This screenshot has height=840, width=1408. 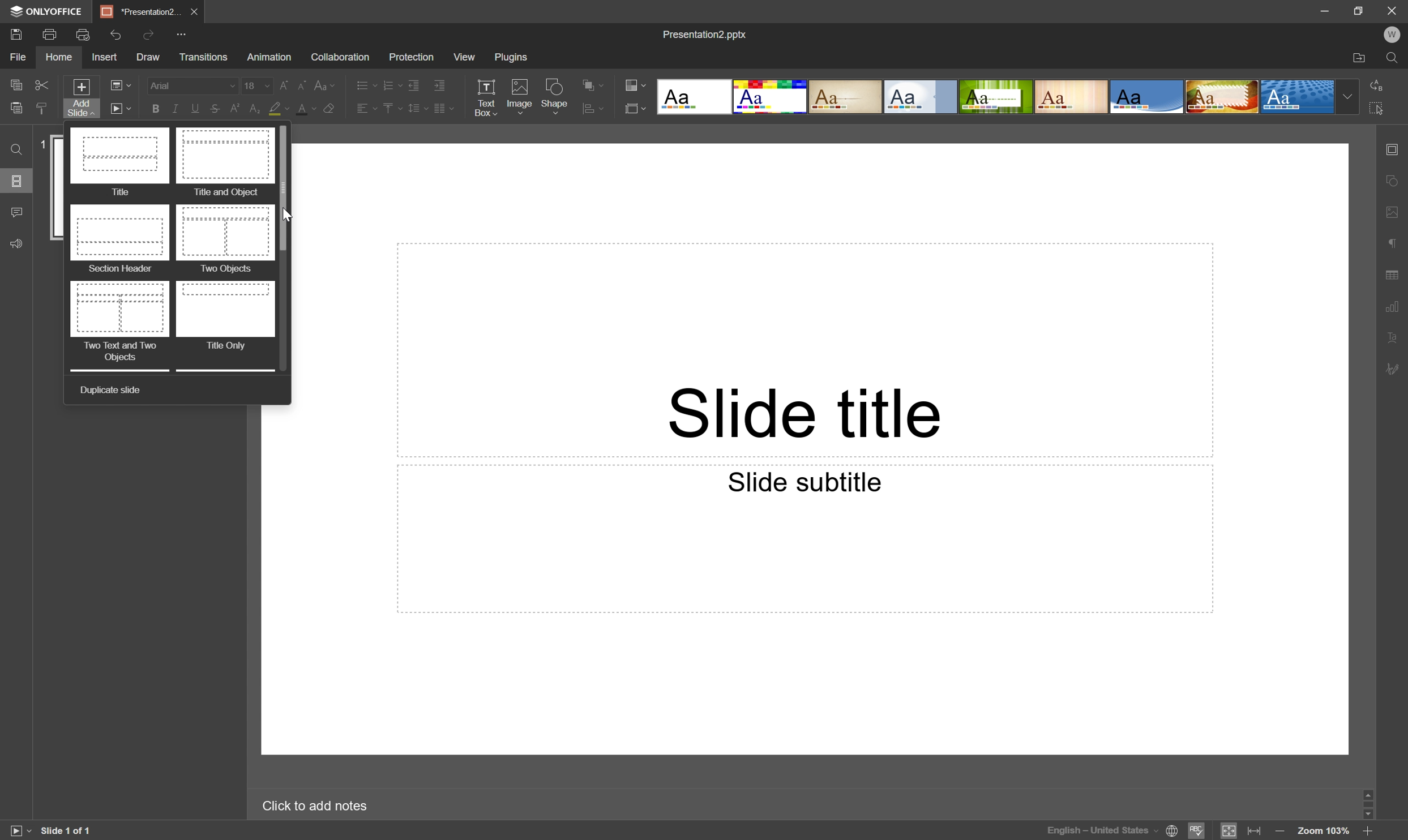 What do you see at coordinates (193, 108) in the screenshot?
I see `Underline` at bounding box center [193, 108].